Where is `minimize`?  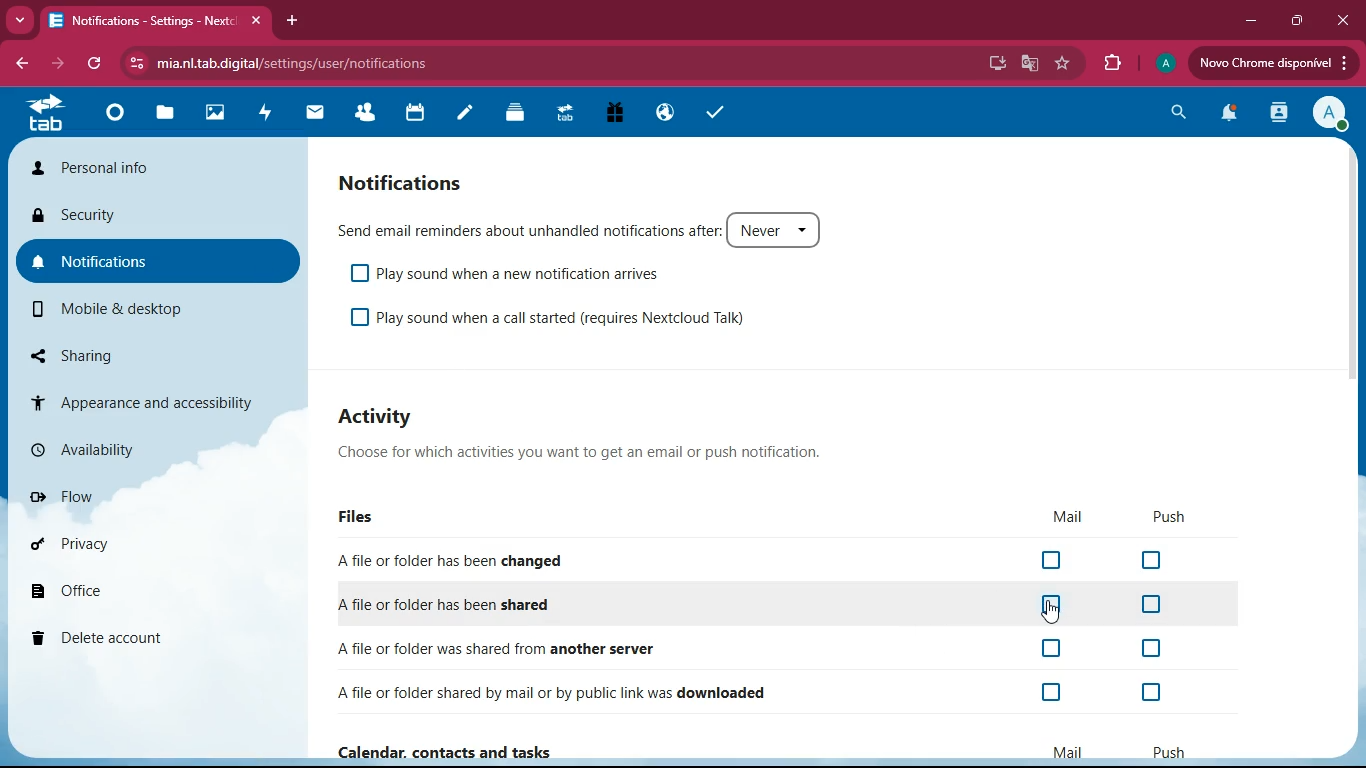
minimize is located at coordinates (1247, 19).